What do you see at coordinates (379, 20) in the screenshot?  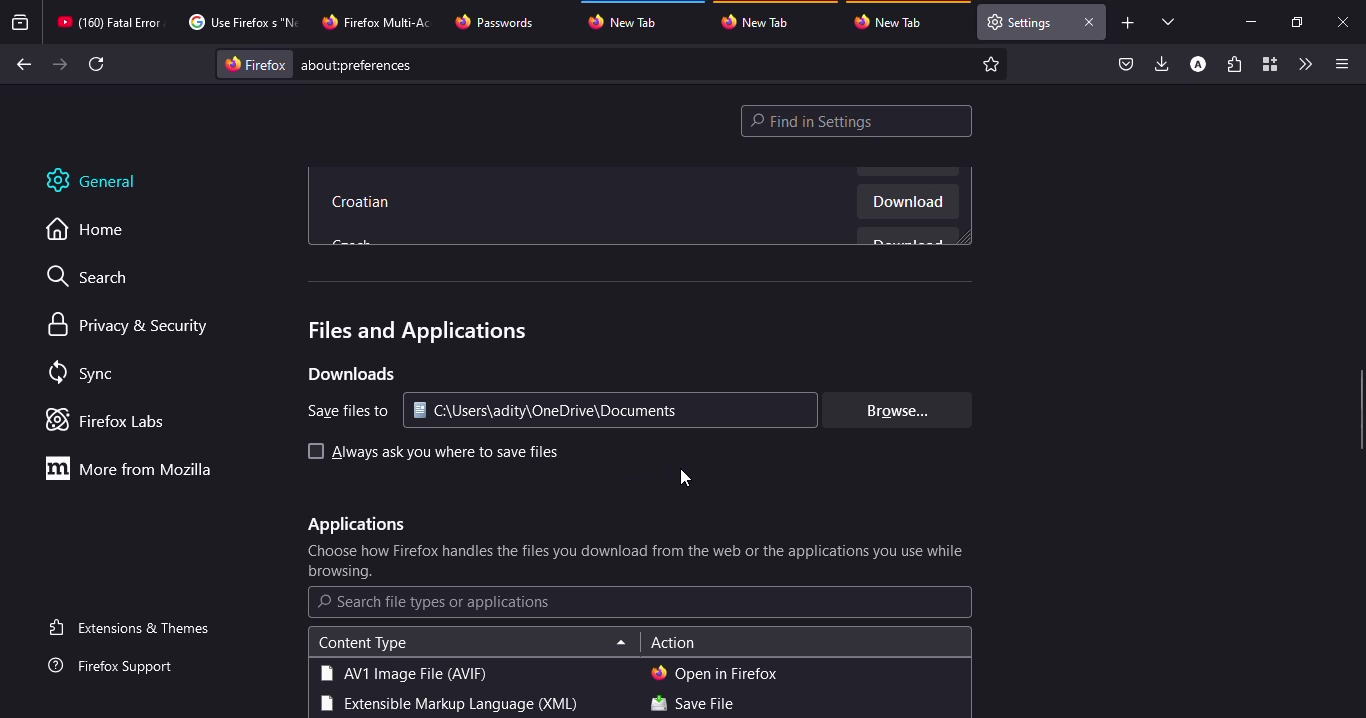 I see `tab` at bounding box center [379, 20].